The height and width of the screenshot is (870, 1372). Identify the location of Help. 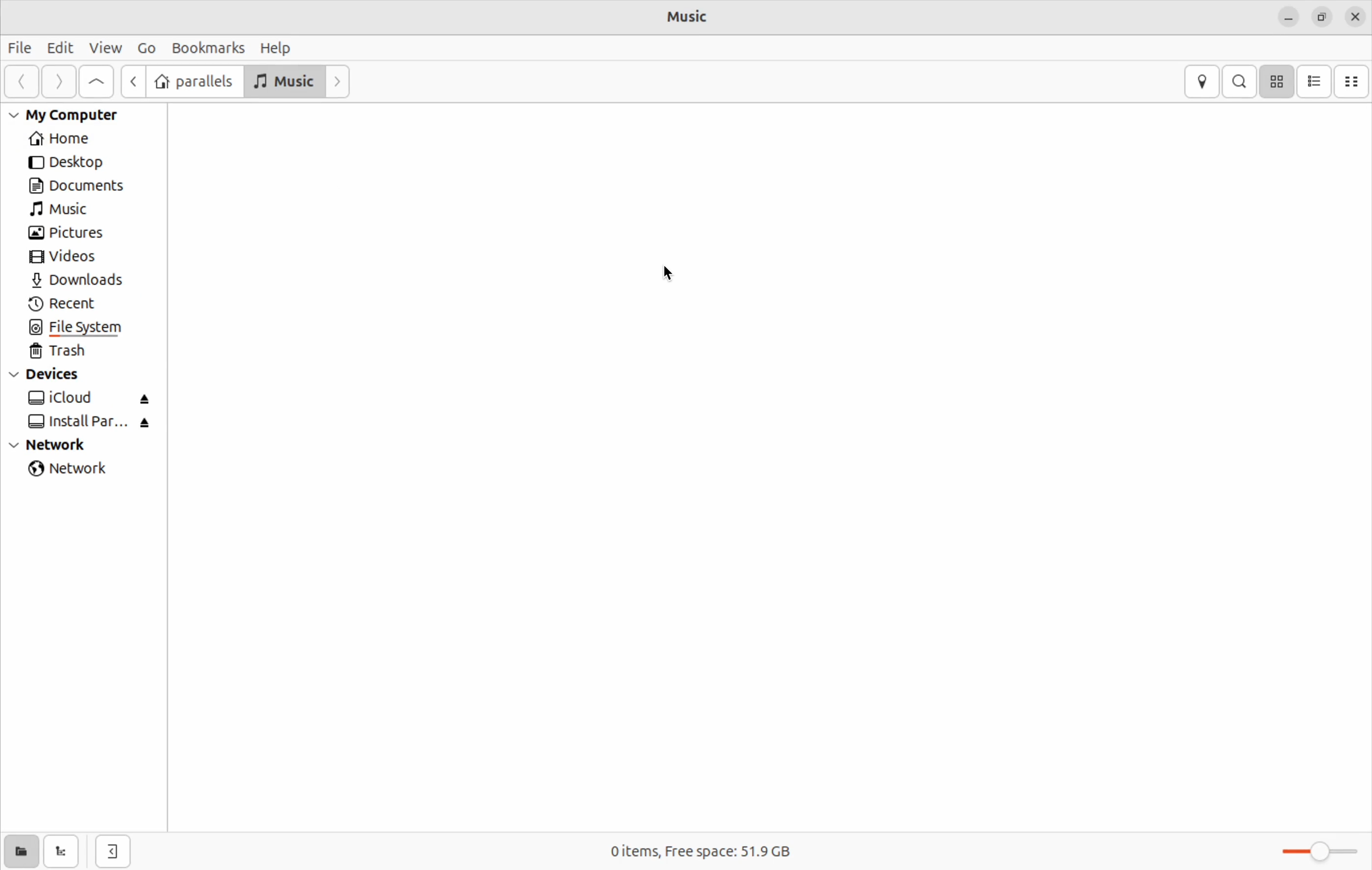
(277, 48).